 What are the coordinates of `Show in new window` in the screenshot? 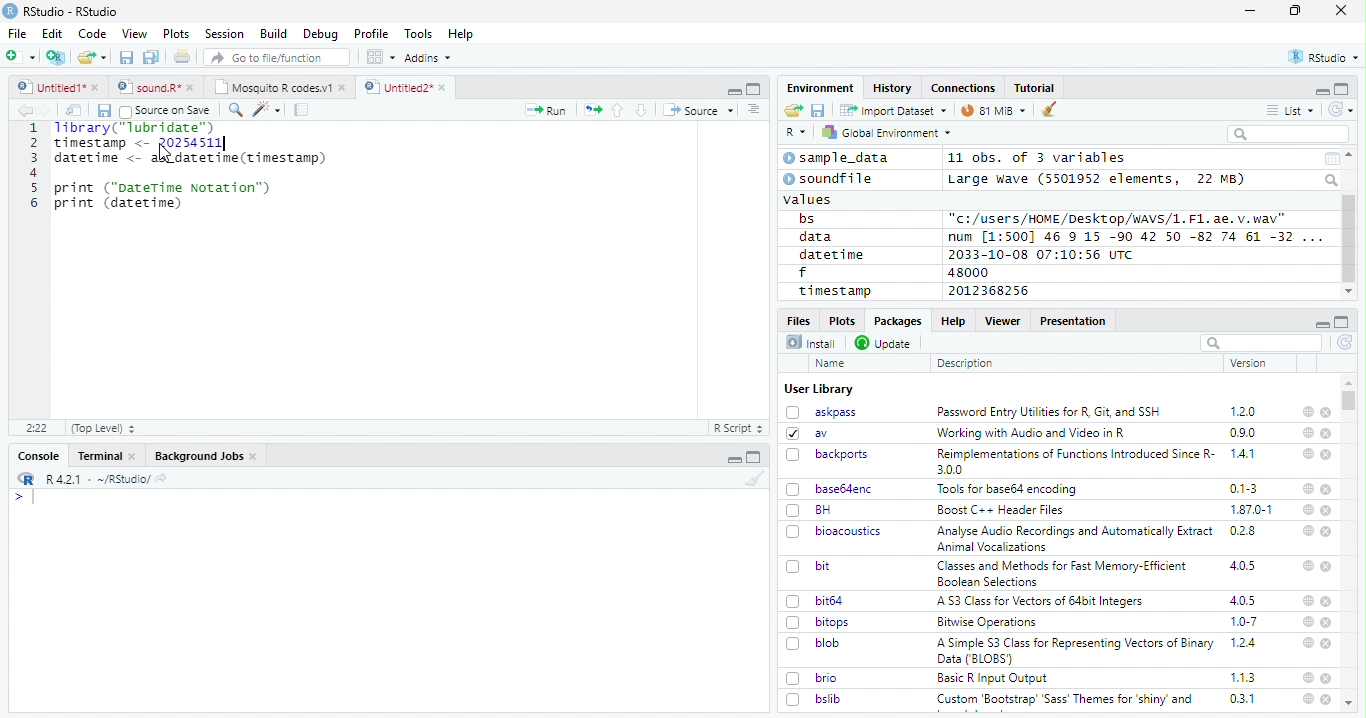 It's located at (76, 110).